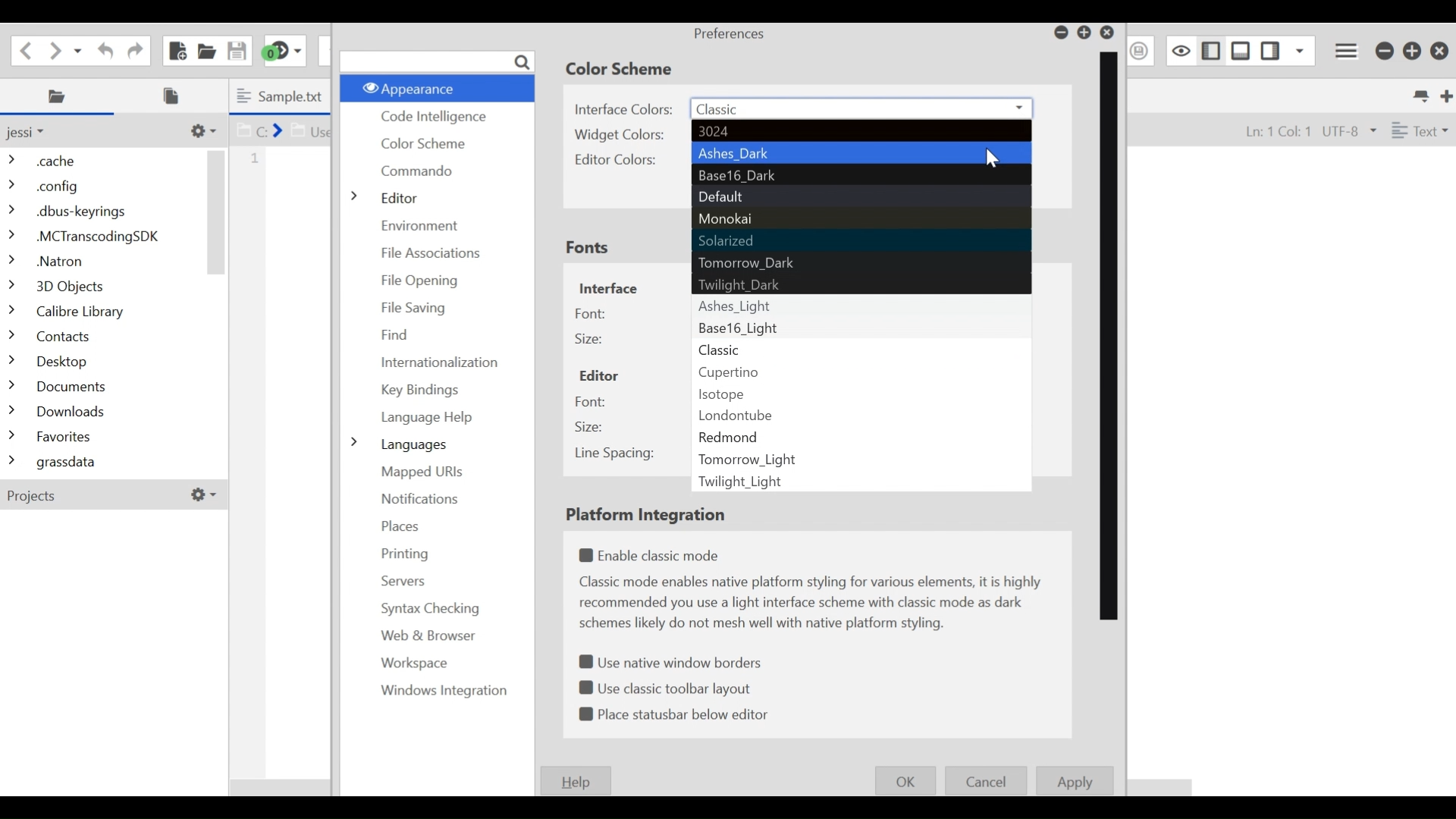  What do you see at coordinates (858, 370) in the screenshot?
I see `cupertino` at bounding box center [858, 370].